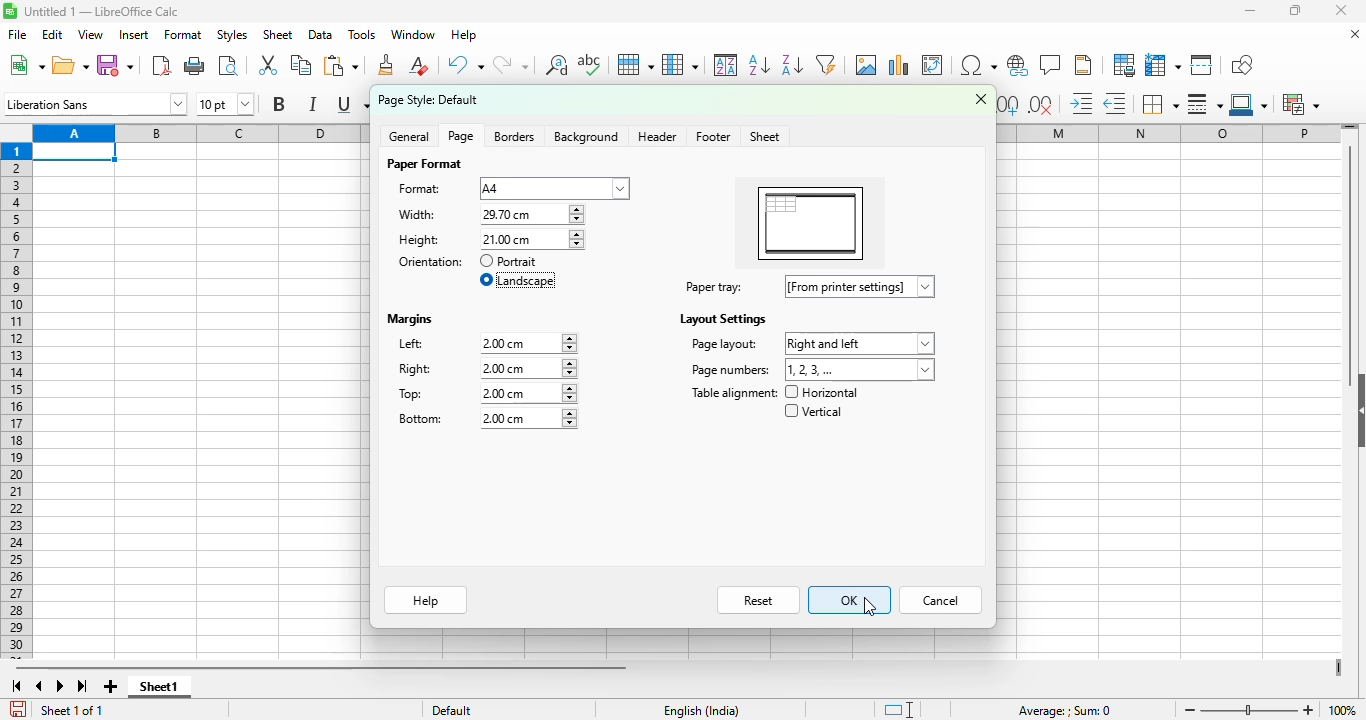 This screenshot has height=720, width=1366. What do you see at coordinates (17, 34) in the screenshot?
I see `file` at bounding box center [17, 34].